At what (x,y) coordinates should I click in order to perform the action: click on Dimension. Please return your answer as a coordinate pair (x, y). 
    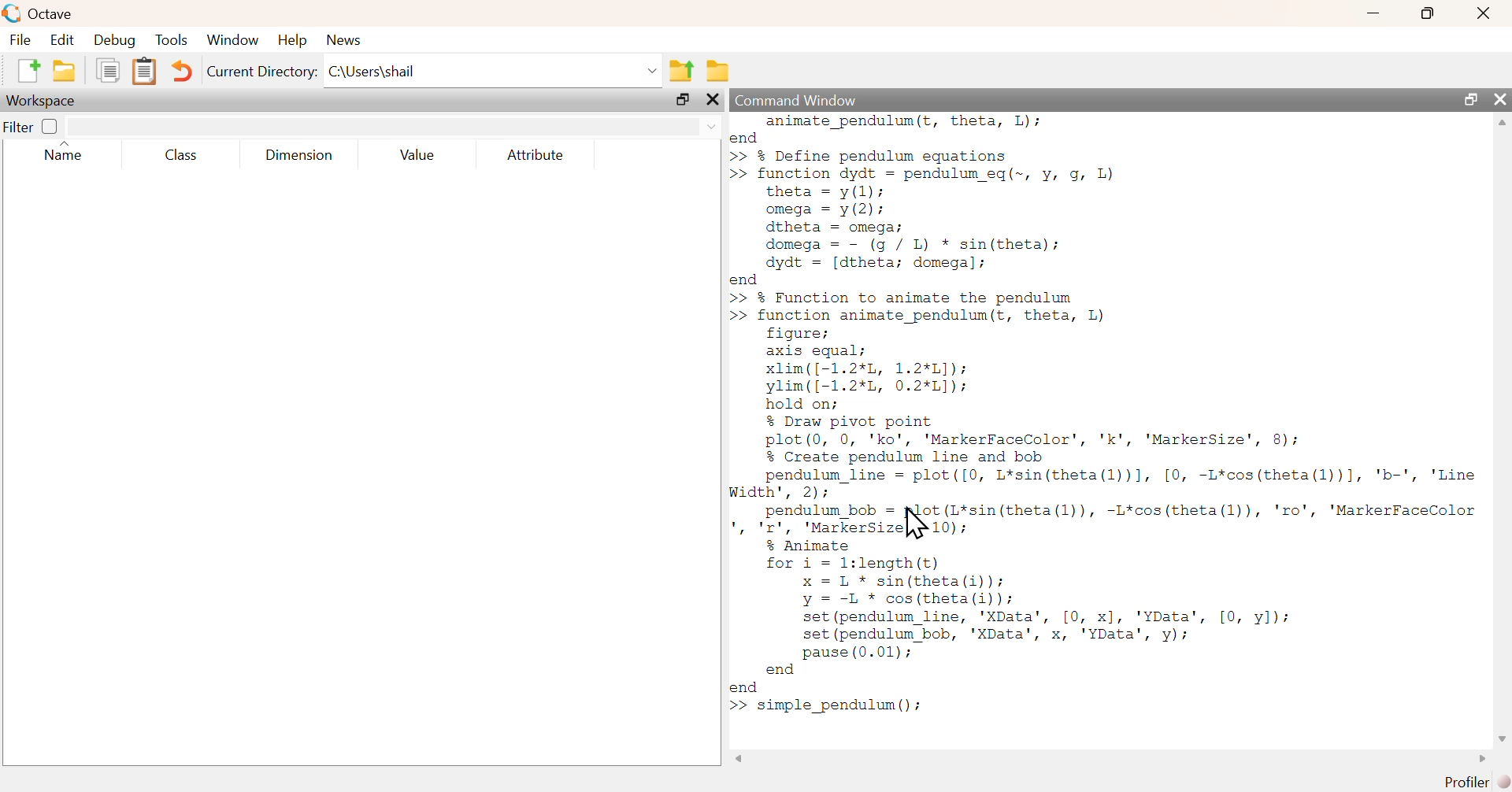
    Looking at the image, I should click on (299, 156).